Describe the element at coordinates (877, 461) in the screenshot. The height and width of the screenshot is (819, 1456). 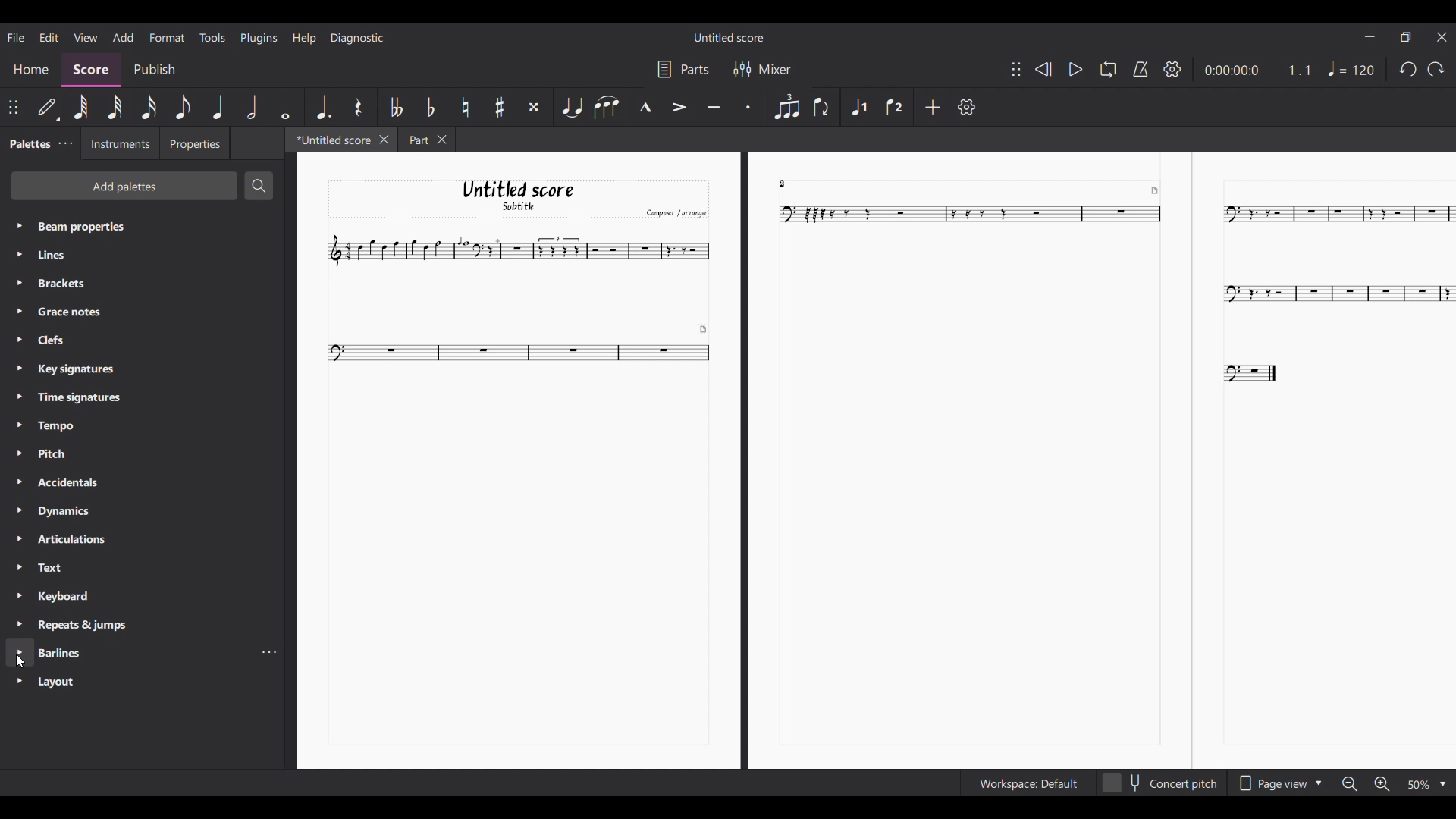
I see `Current score` at that location.